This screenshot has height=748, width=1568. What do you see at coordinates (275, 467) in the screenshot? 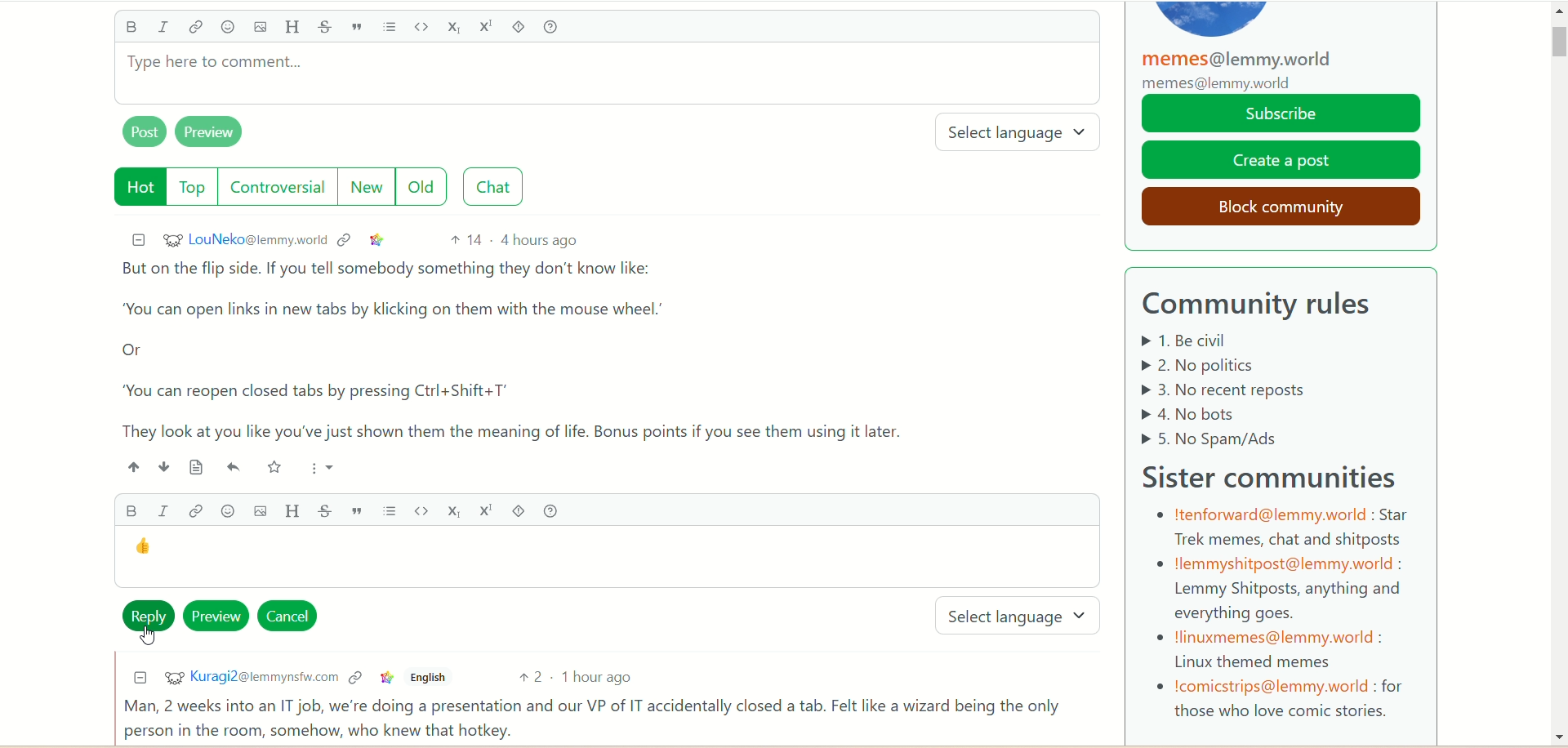
I see `save` at bounding box center [275, 467].